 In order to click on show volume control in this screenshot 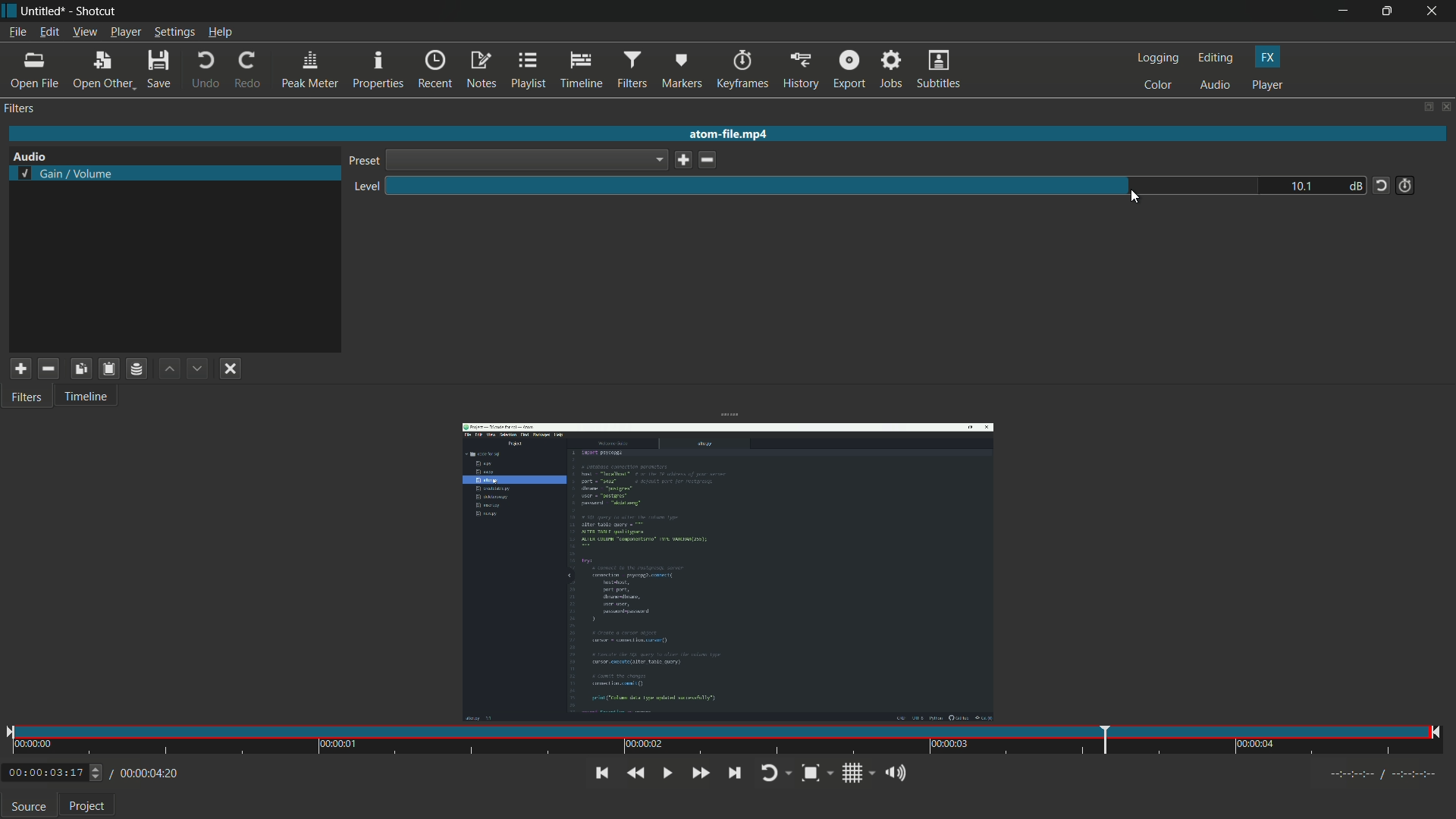, I will do `click(900, 775)`.